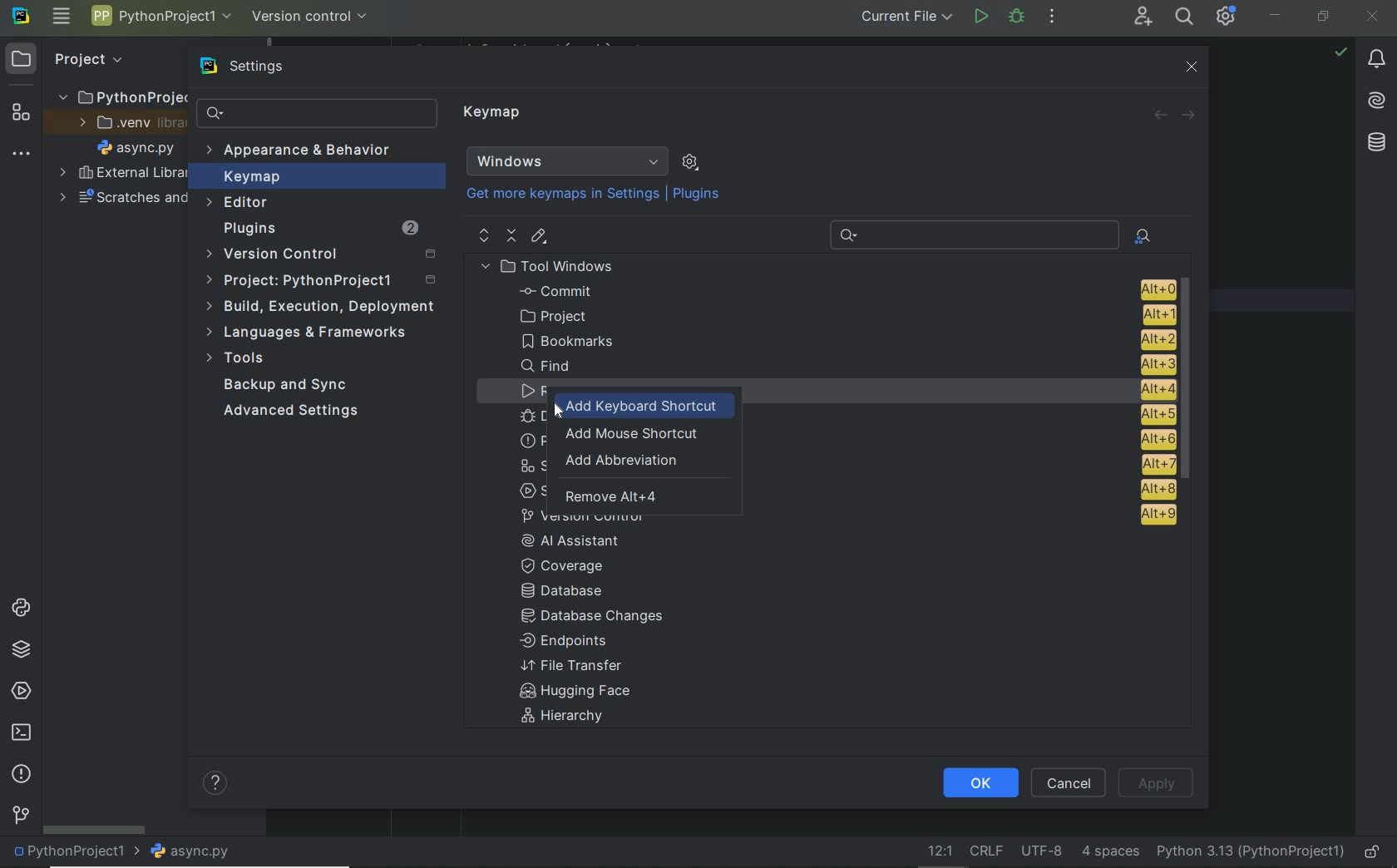 The image size is (1397, 868). I want to click on Tools, so click(239, 360).